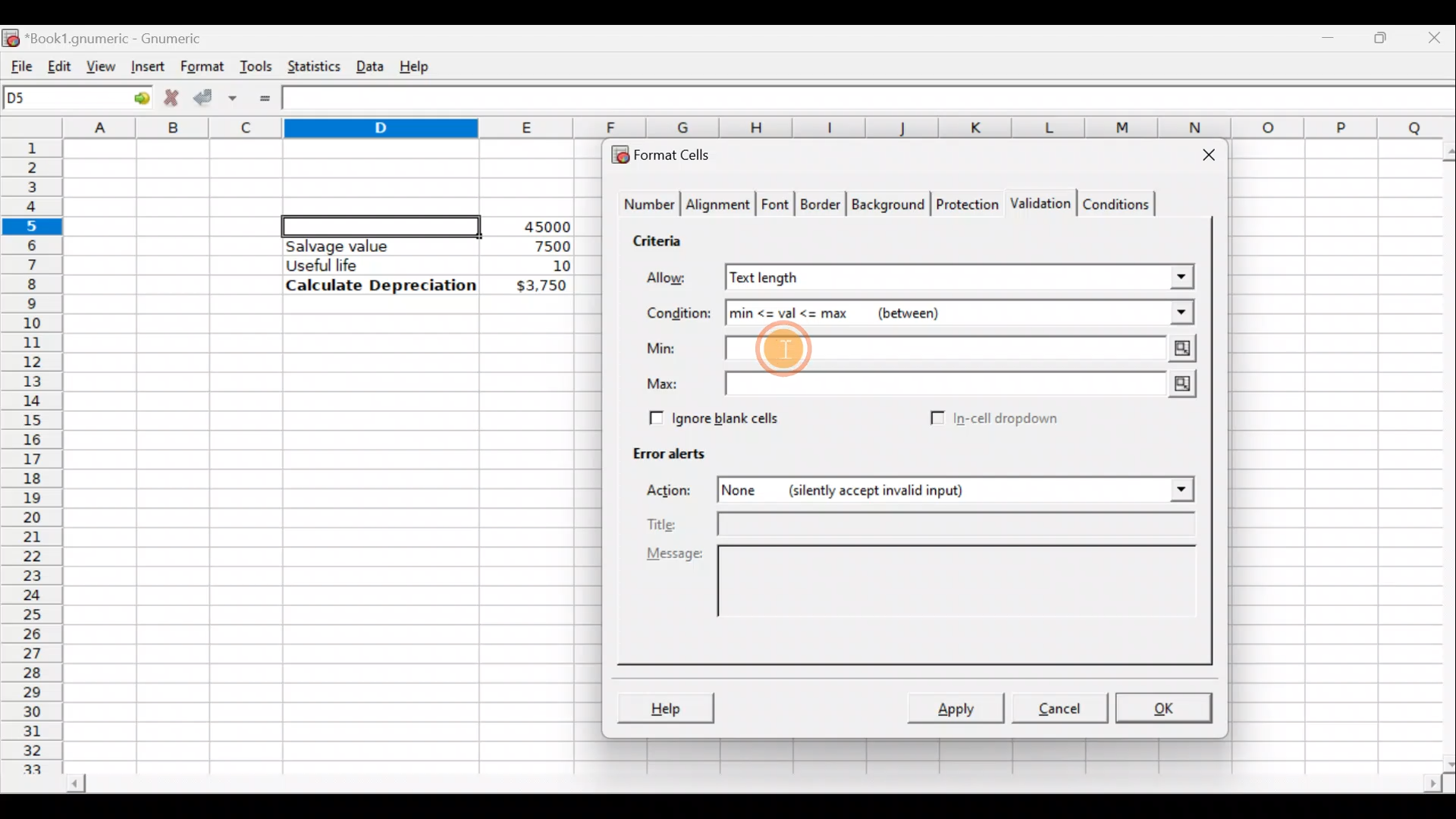  Describe the element at coordinates (905, 489) in the screenshot. I see `None (silently accept invalid input)` at that location.